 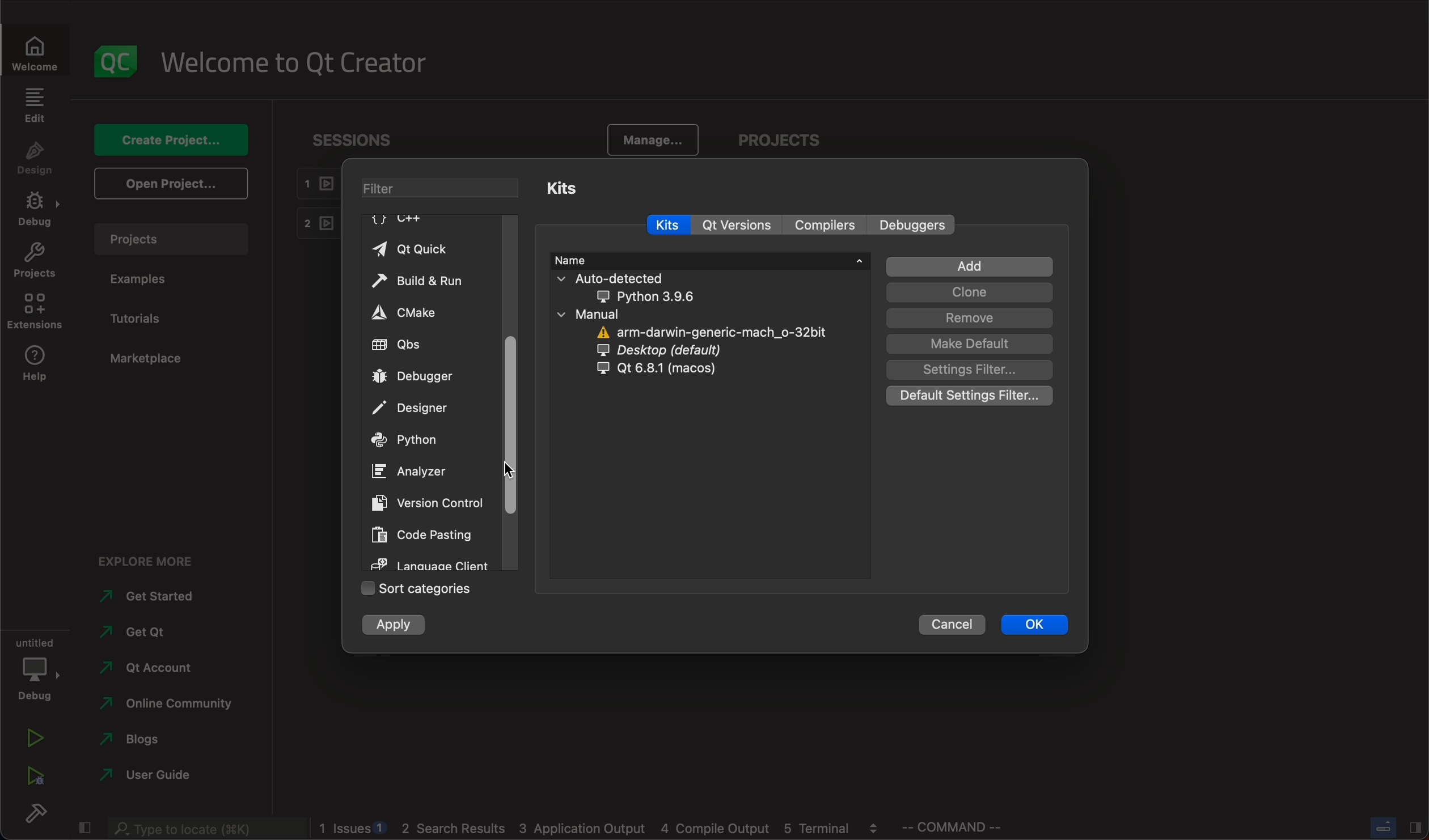 I want to click on kits, so click(x=566, y=192).